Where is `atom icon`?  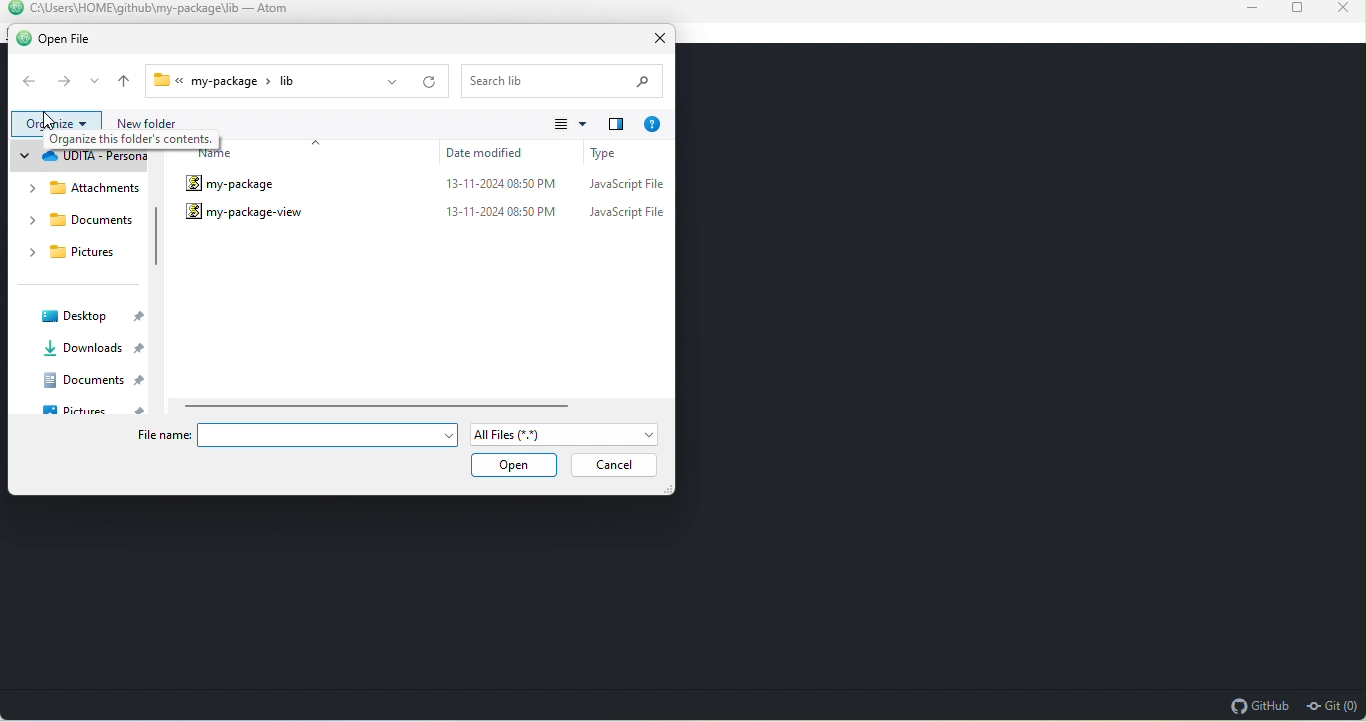 atom icon is located at coordinates (13, 8).